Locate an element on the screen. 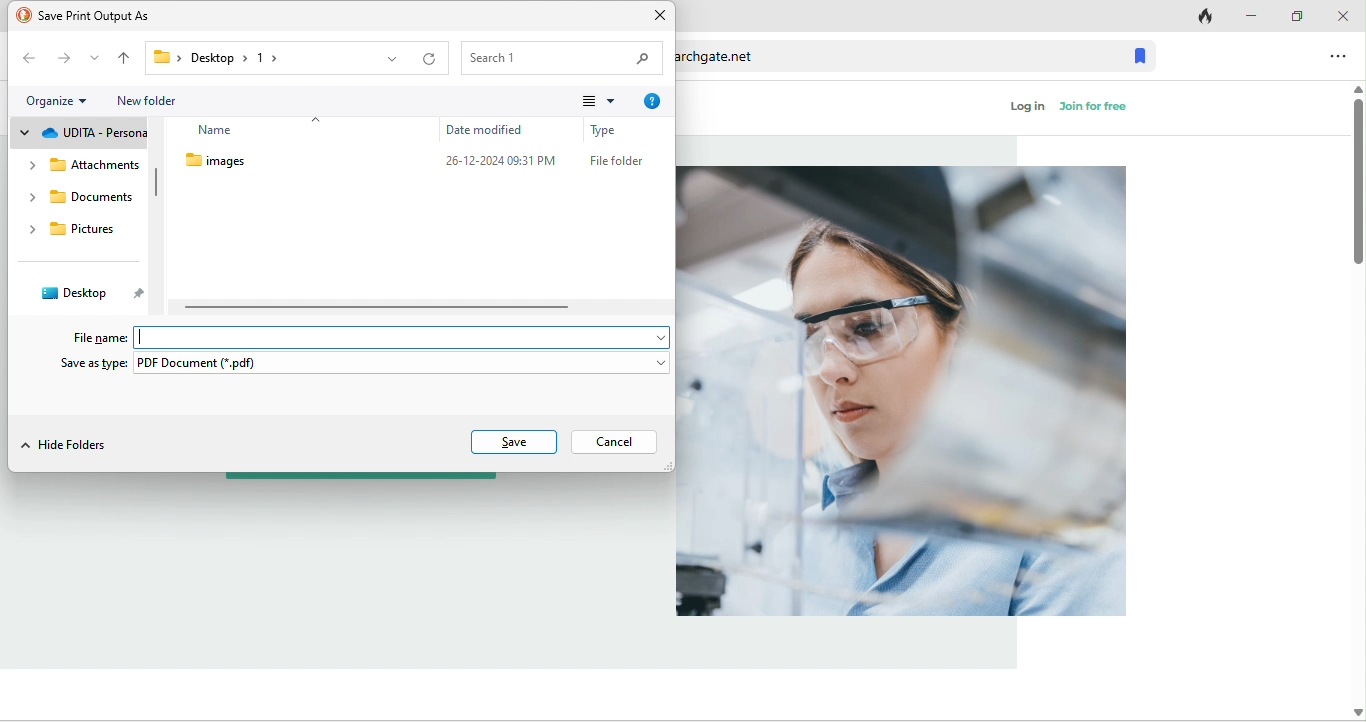 The height and width of the screenshot is (722, 1366). help is located at coordinates (650, 101).